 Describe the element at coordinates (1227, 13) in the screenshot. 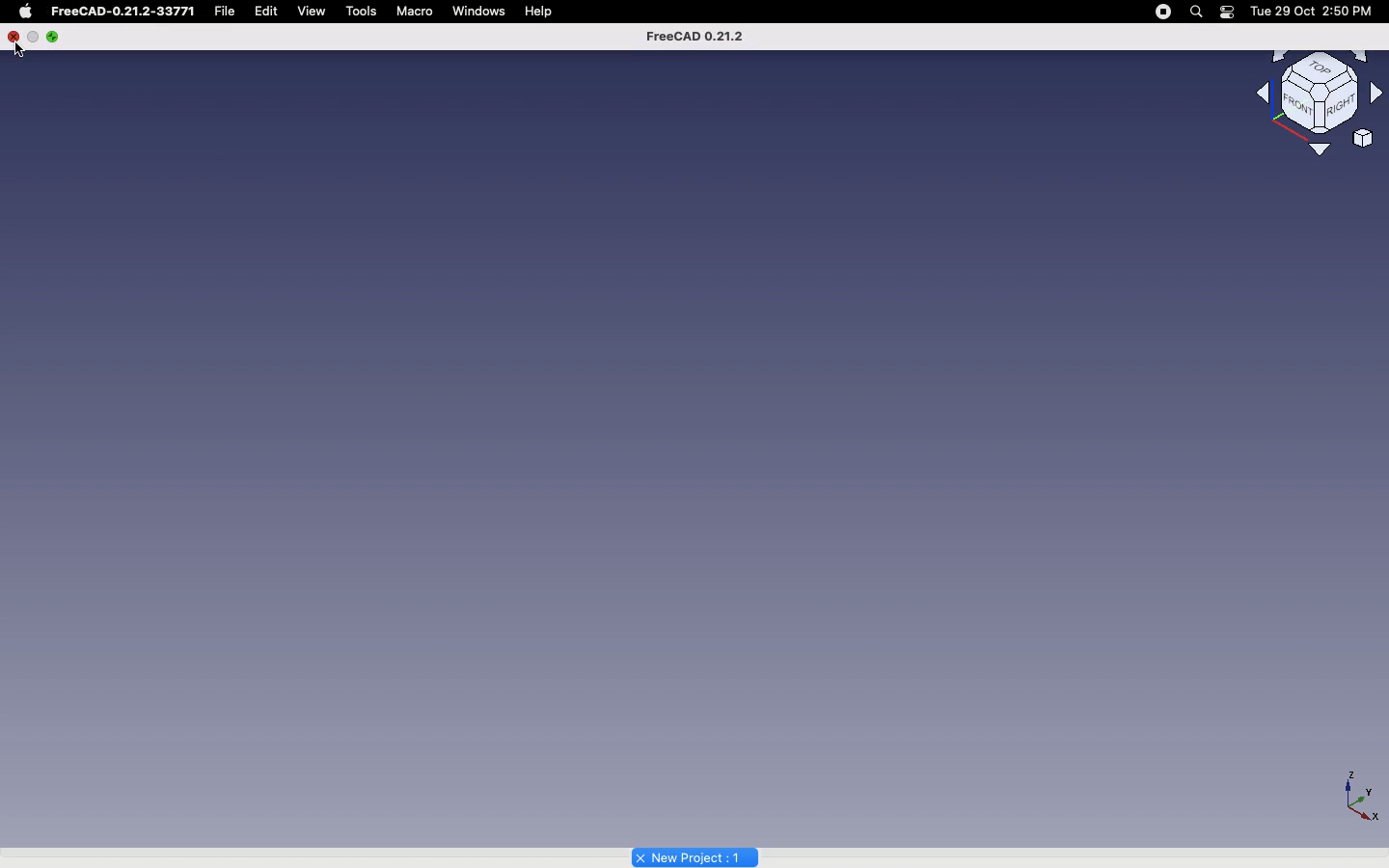

I see `Notification` at that location.